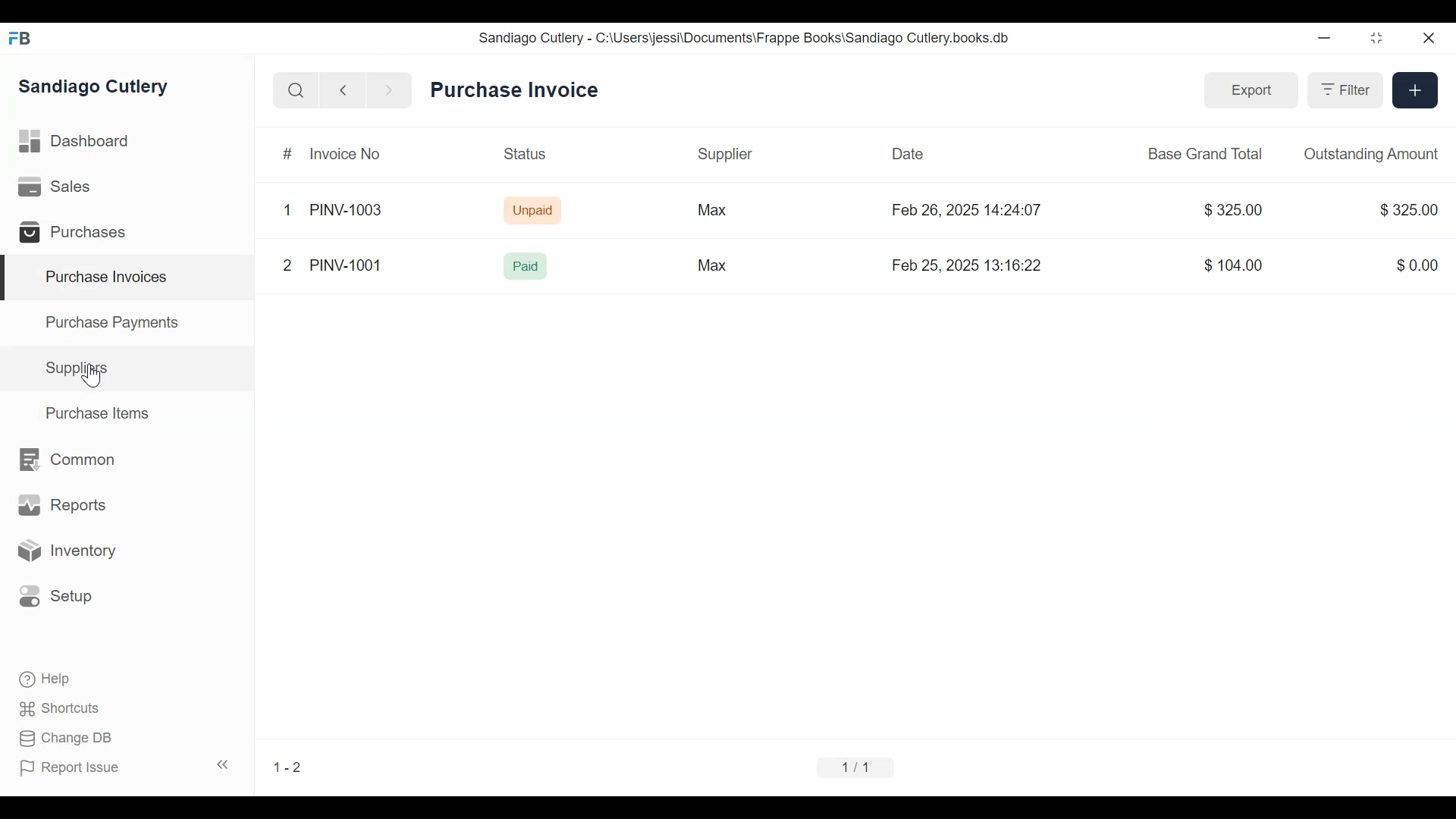  I want to click on minimize, so click(1326, 39).